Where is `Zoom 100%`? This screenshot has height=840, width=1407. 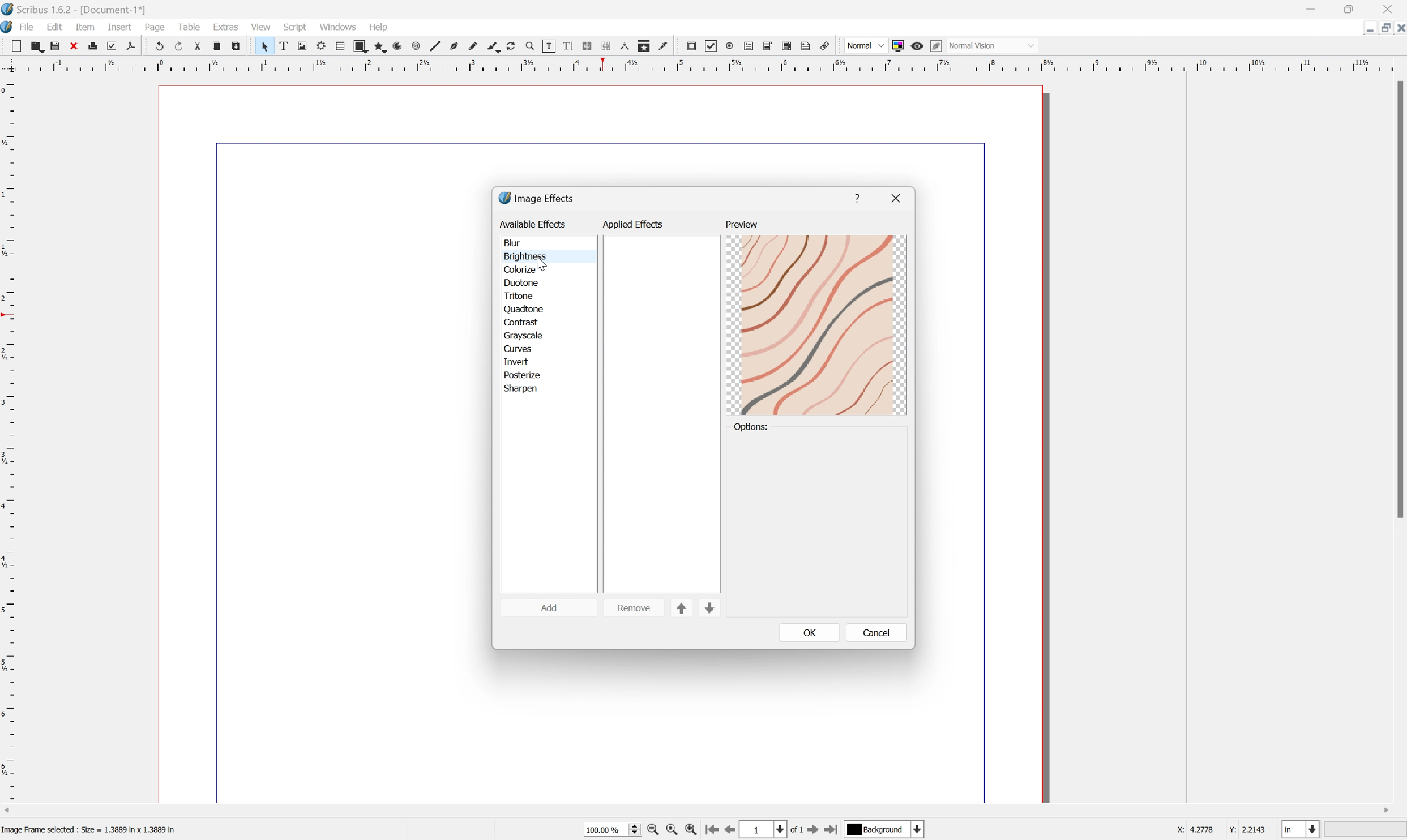
Zoom 100% is located at coordinates (613, 829).